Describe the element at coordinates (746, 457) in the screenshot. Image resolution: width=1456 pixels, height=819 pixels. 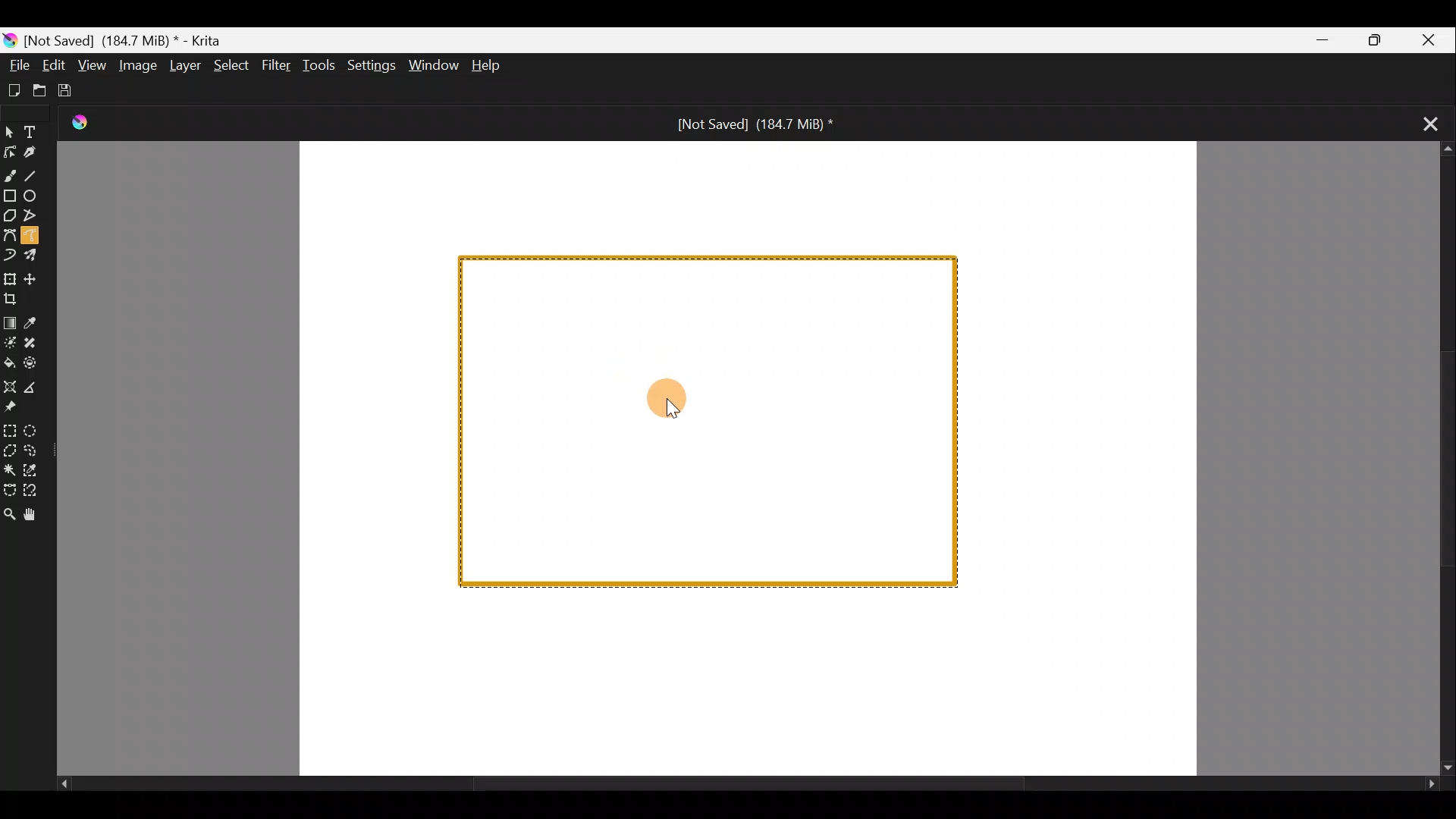
I see `Canvas` at that location.